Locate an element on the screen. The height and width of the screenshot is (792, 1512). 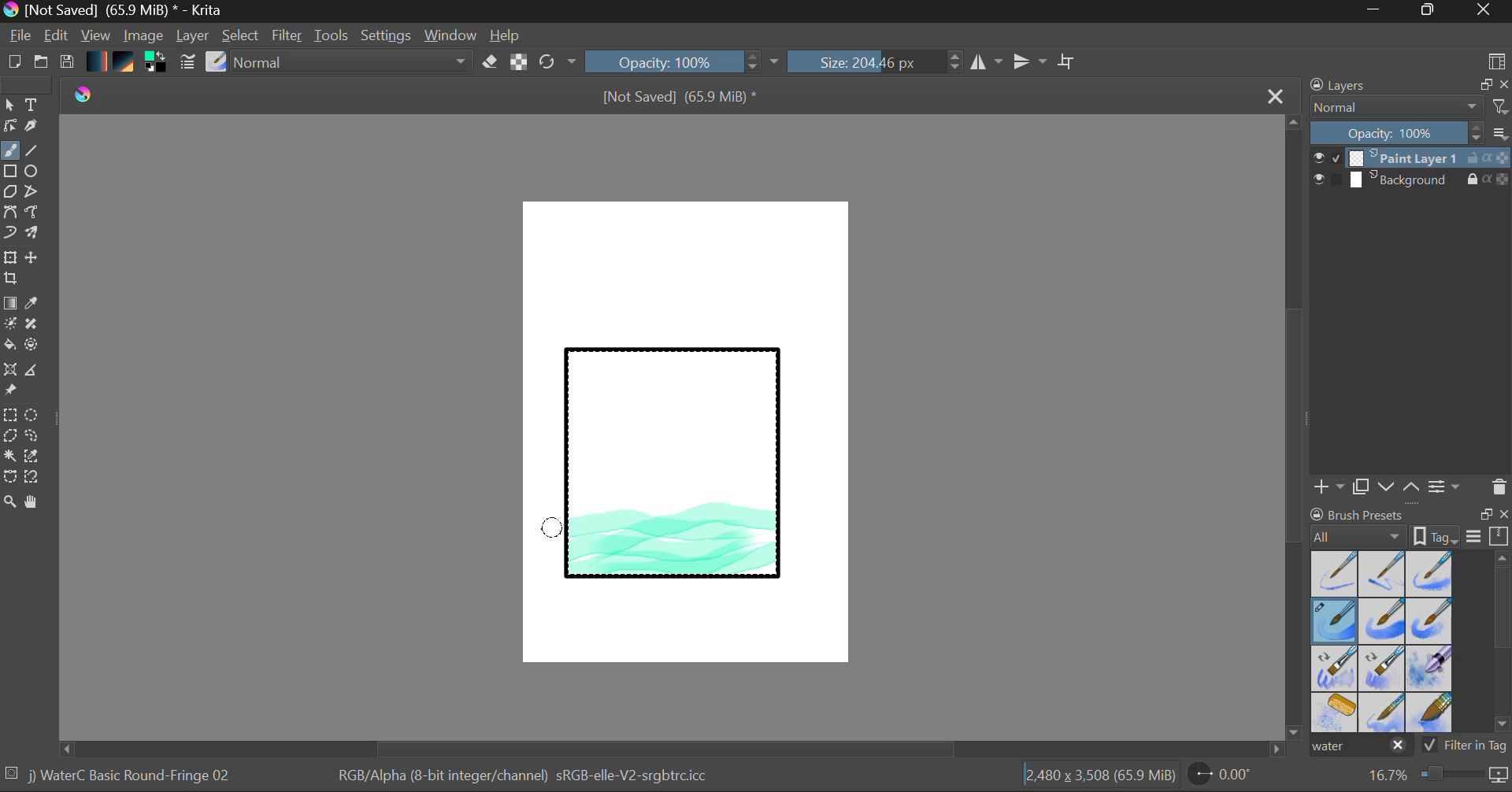
Continuous Selection is located at coordinates (9, 455).